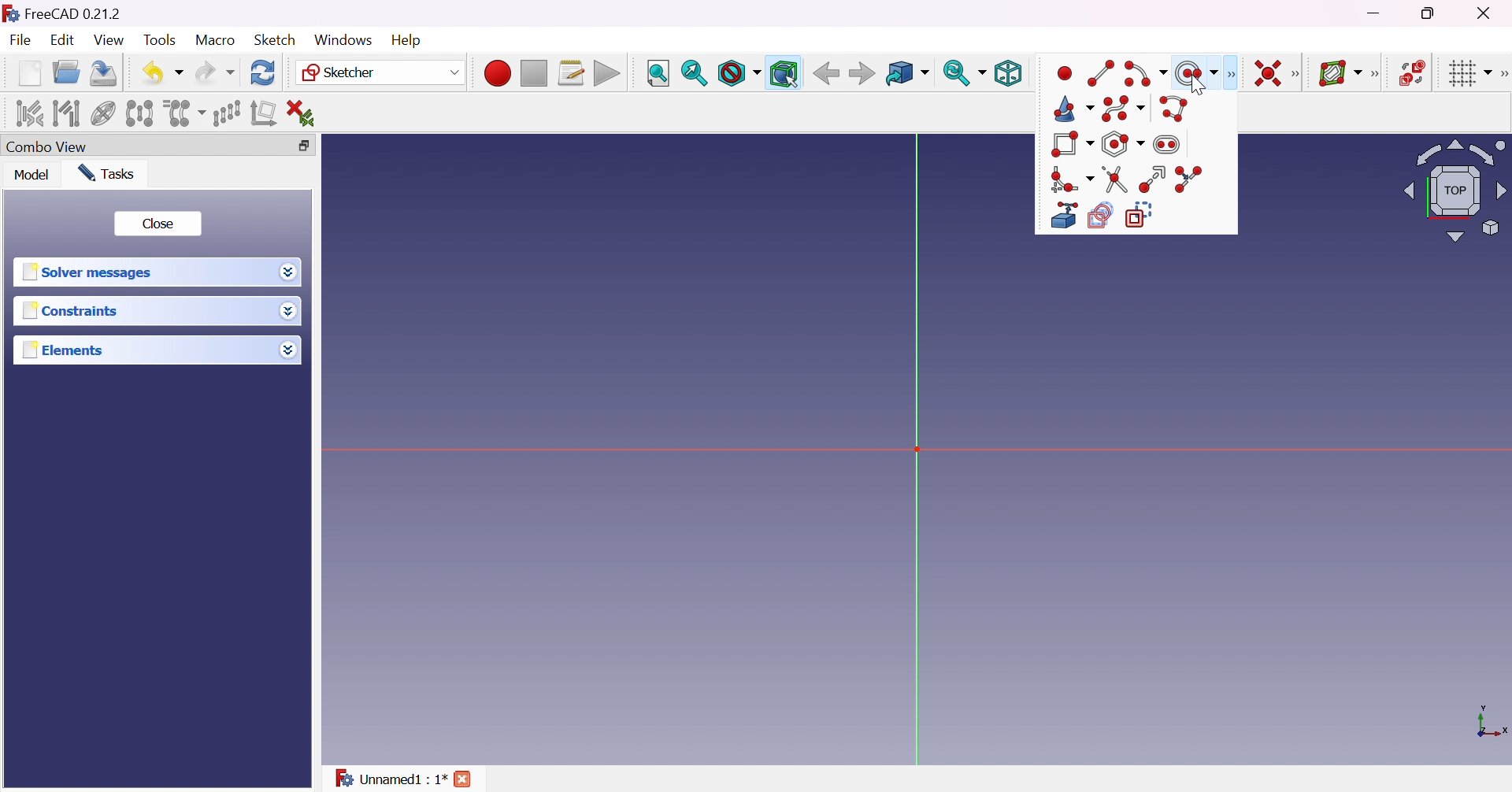 This screenshot has height=792, width=1512. What do you see at coordinates (342, 39) in the screenshot?
I see `Windows` at bounding box center [342, 39].